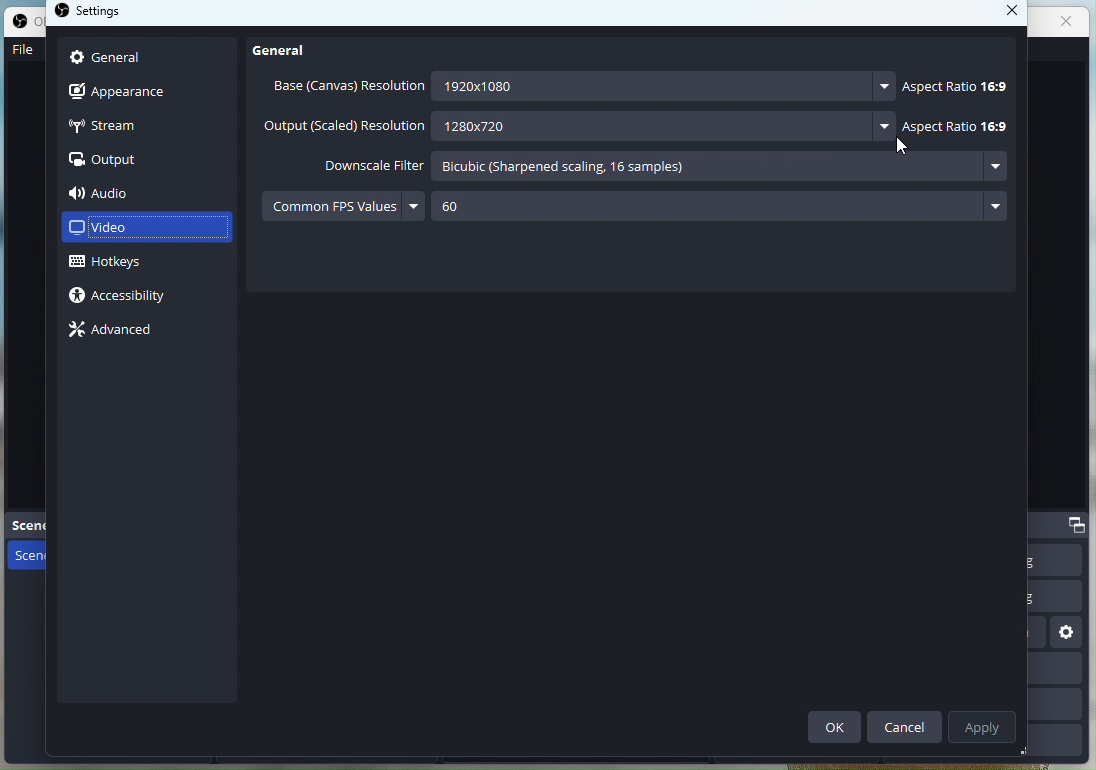 The width and height of the screenshot is (1096, 770). Describe the element at coordinates (958, 85) in the screenshot. I see `Aspect ratio 16:9` at that location.